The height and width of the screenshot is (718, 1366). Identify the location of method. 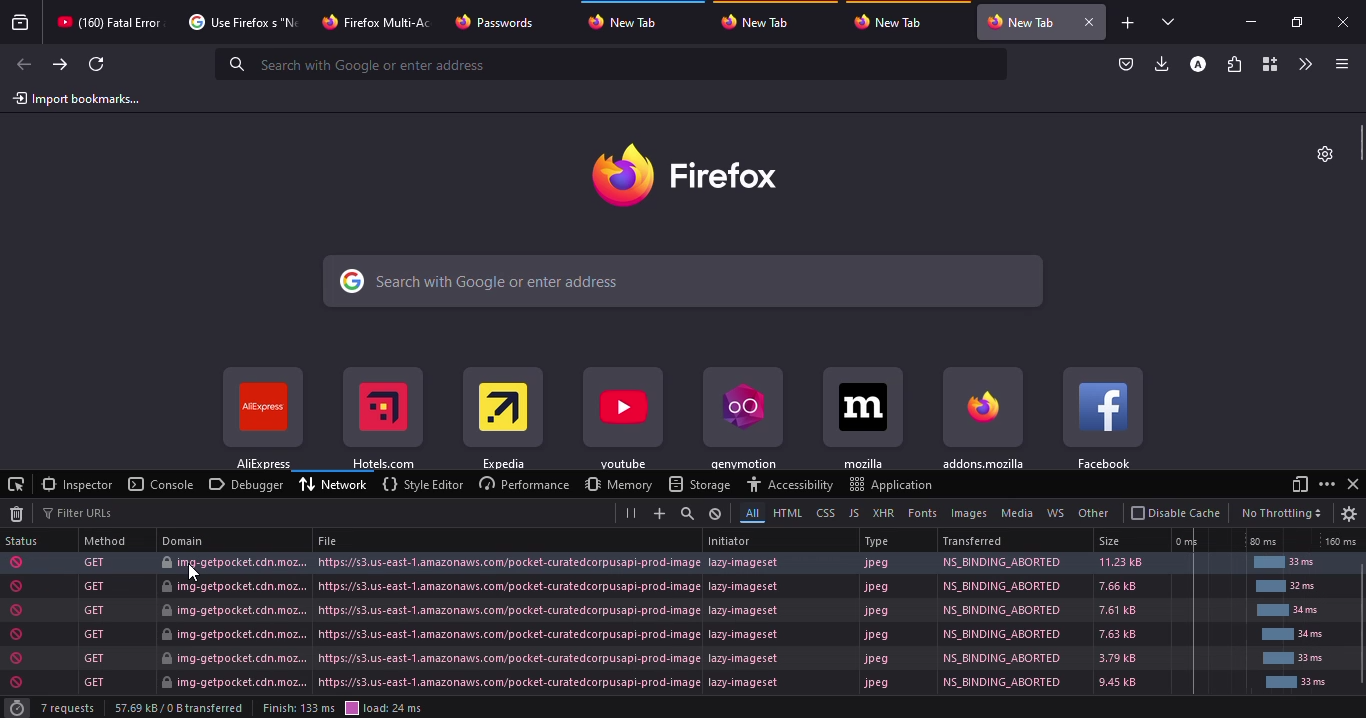
(106, 540).